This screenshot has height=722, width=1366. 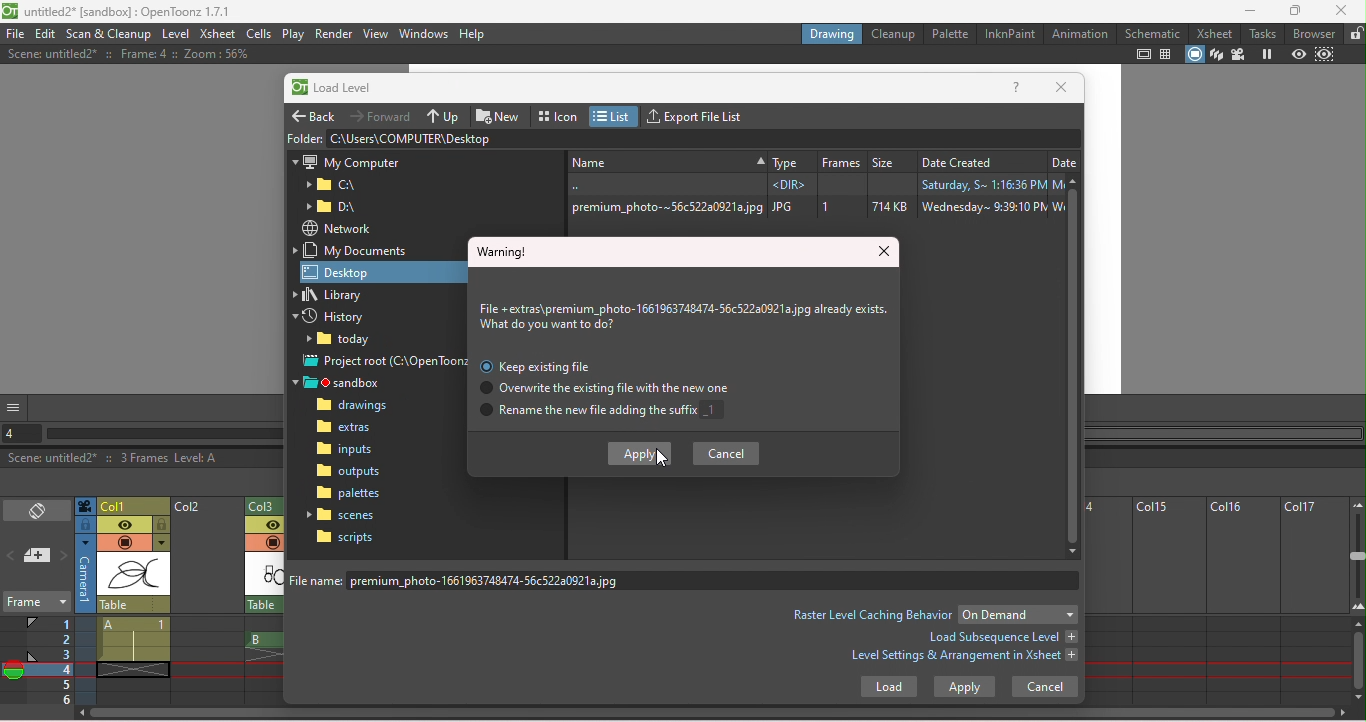 What do you see at coordinates (1238, 55) in the screenshot?
I see `Camera view` at bounding box center [1238, 55].